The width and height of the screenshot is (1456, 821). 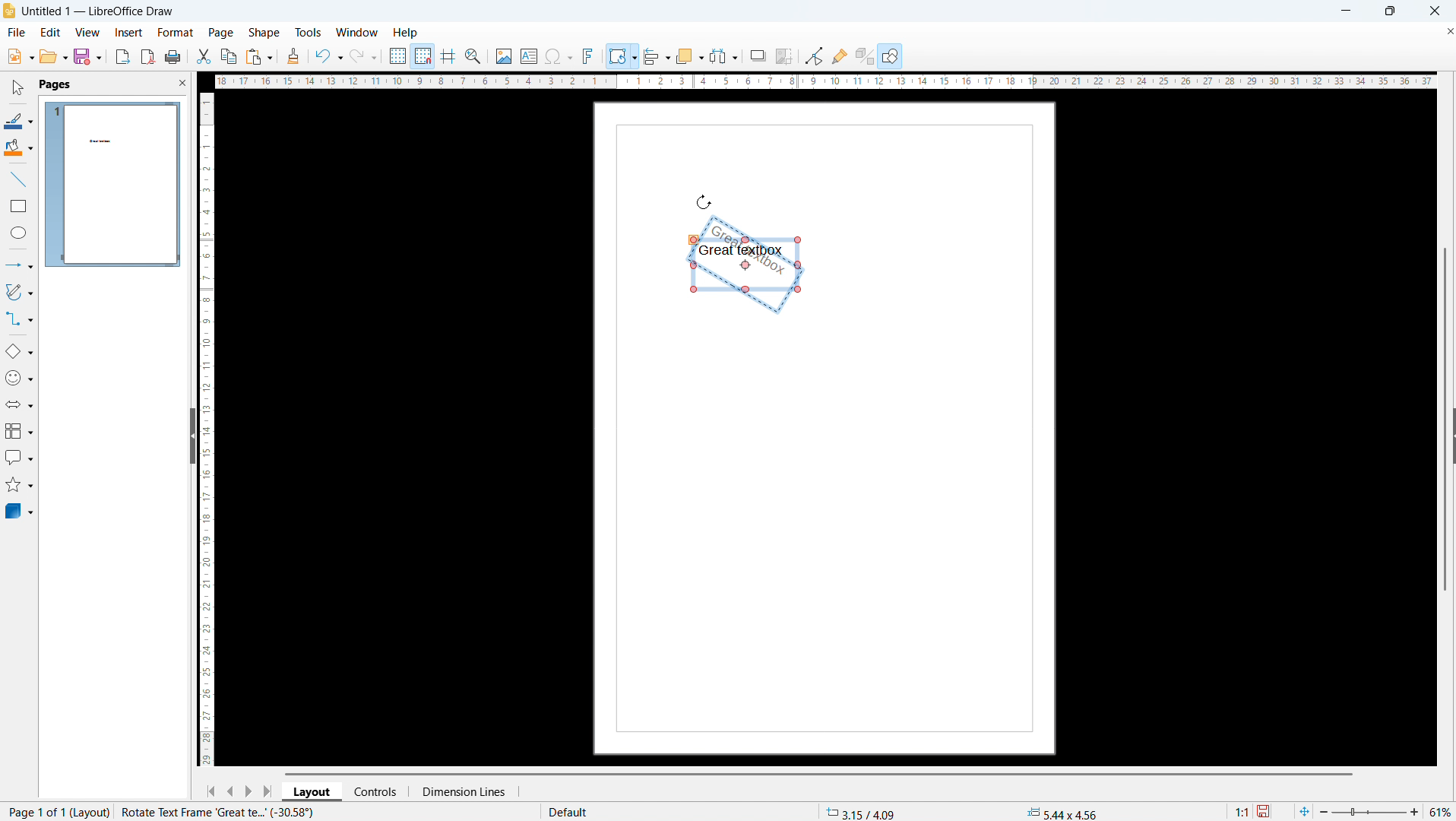 What do you see at coordinates (19, 119) in the screenshot?
I see `line color` at bounding box center [19, 119].